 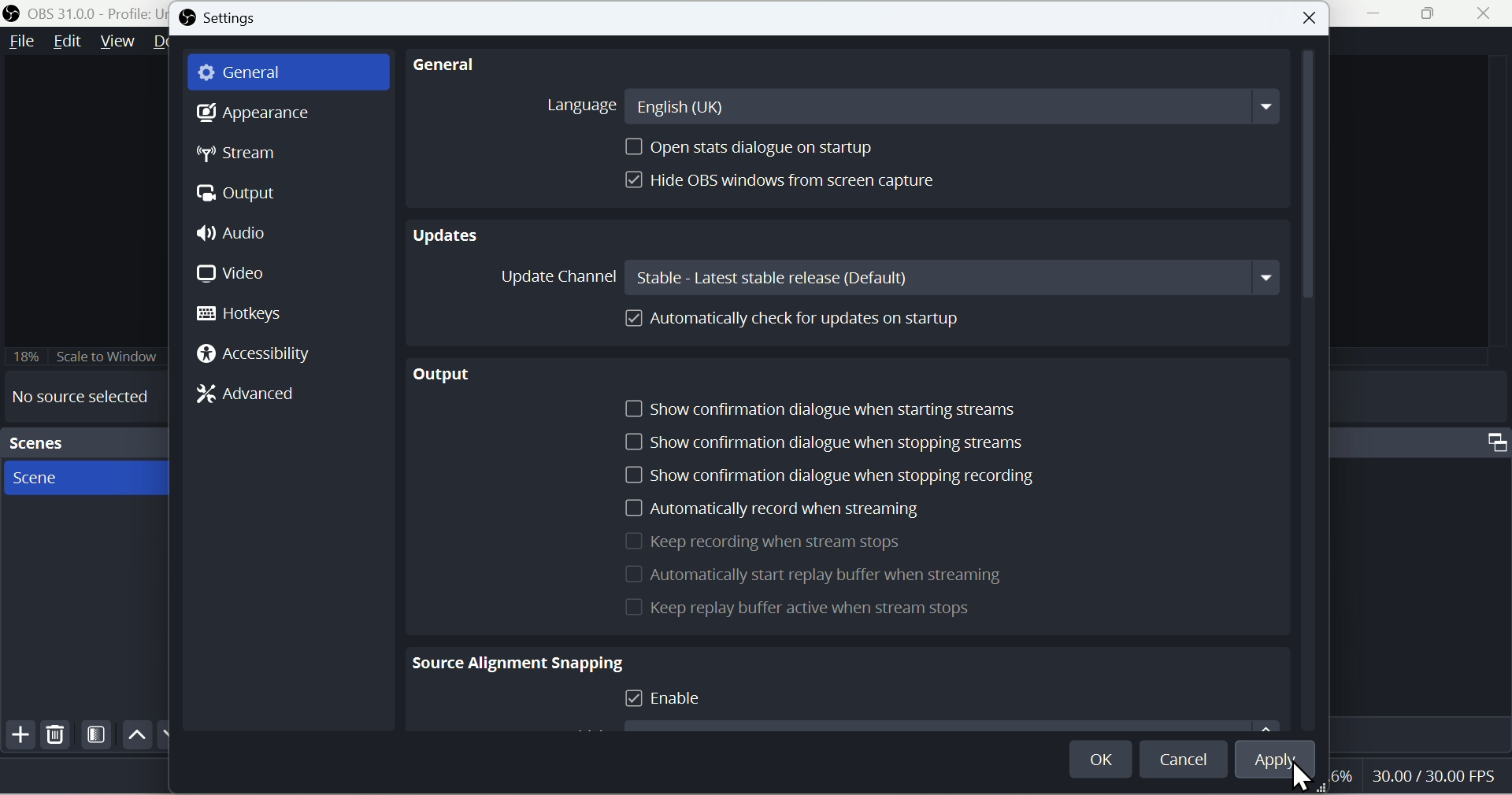 What do you see at coordinates (954, 105) in the screenshot?
I see `English(UK)` at bounding box center [954, 105].